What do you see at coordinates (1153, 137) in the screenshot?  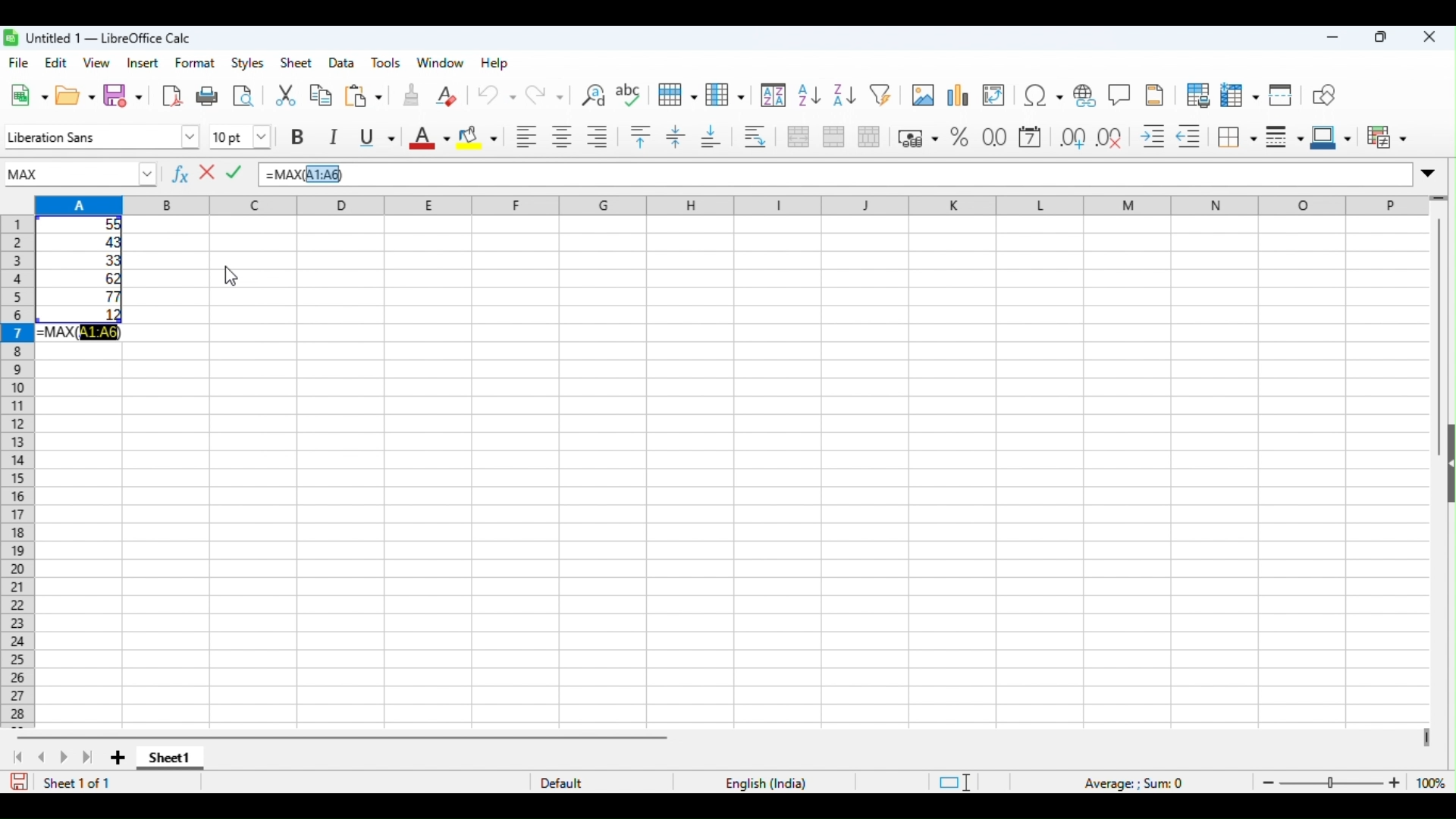 I see `increase indent` at bounding box center [1153, 137].